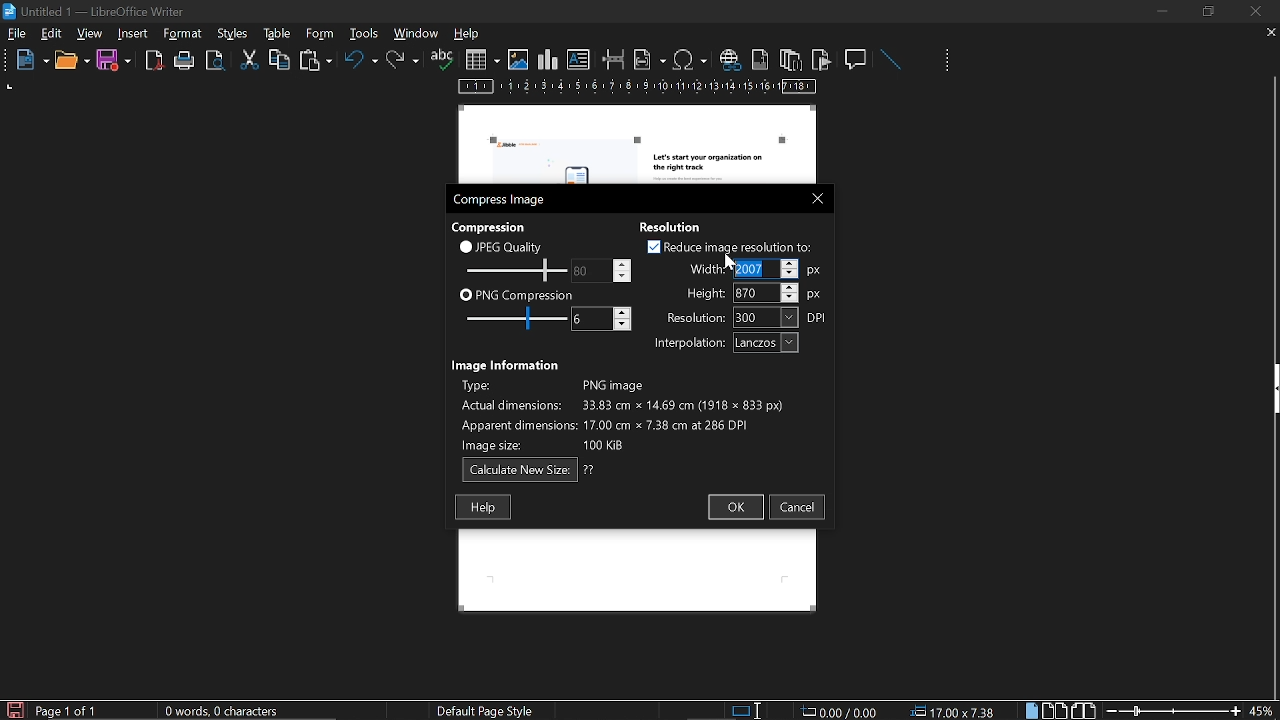 Image resolution: width=1280 pixels, height=720 pixels. What do you see at coordinates (1254, 11) in the screenshot?
I see `close` at bounding box center [1254, 11].